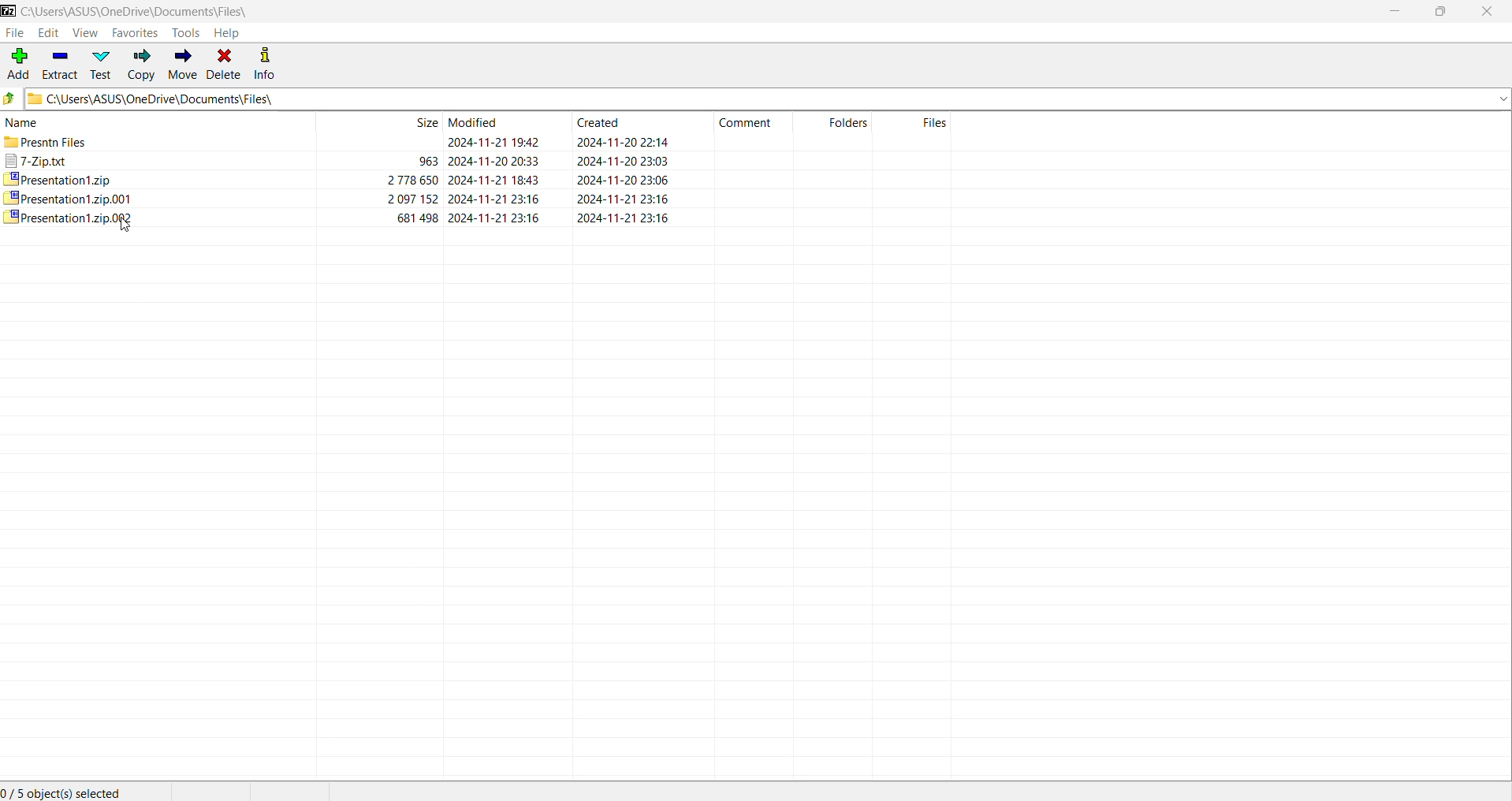  What do you see at coordinates (634, 217) in the screenshot?
I see `2024-11-21 23:16` at bounding box center [634, 217].